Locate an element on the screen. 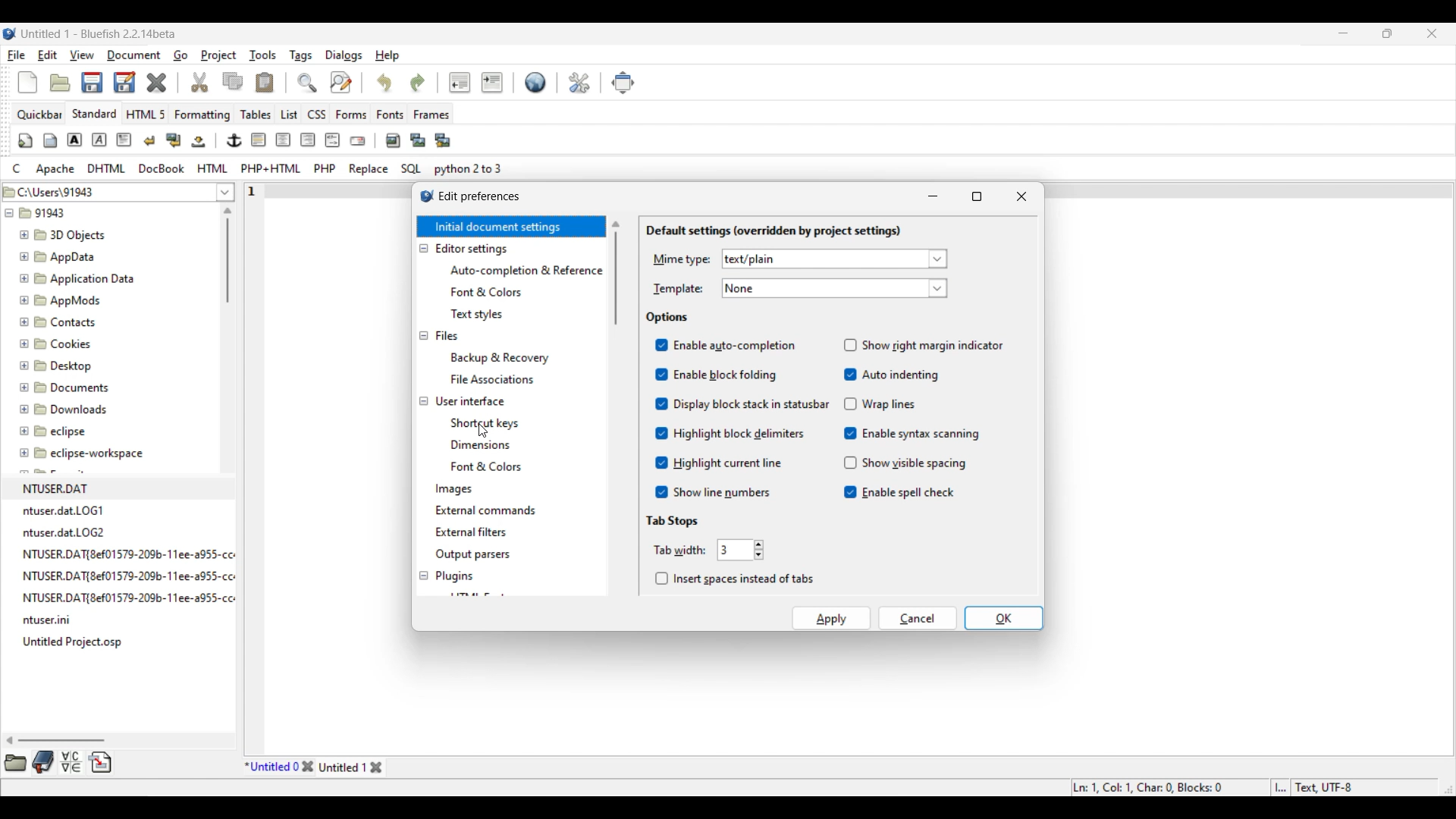  status bar details is located at coordinates (1242, 786).